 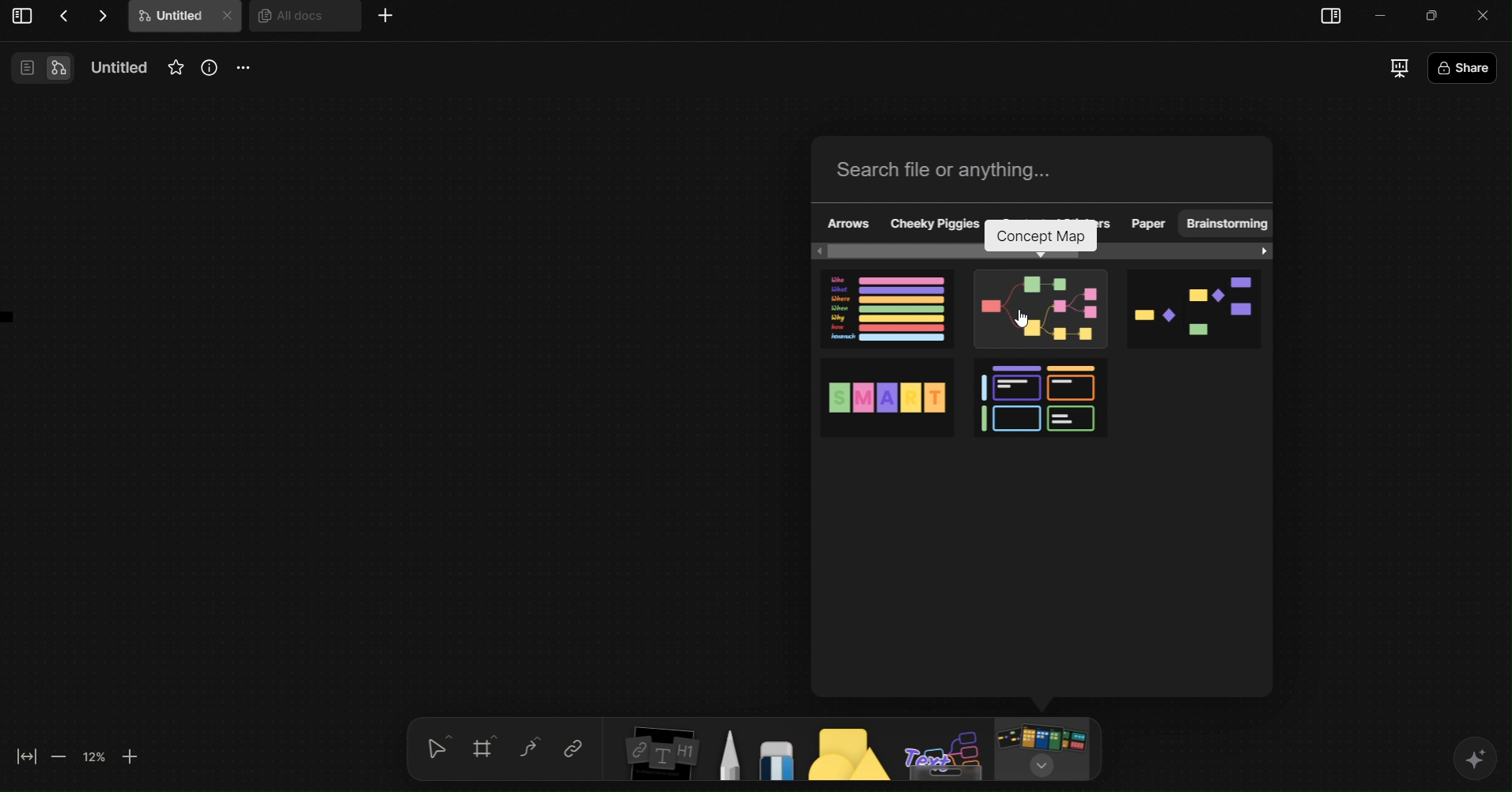 I want to click on minimize, so click(x=1384, y=15).